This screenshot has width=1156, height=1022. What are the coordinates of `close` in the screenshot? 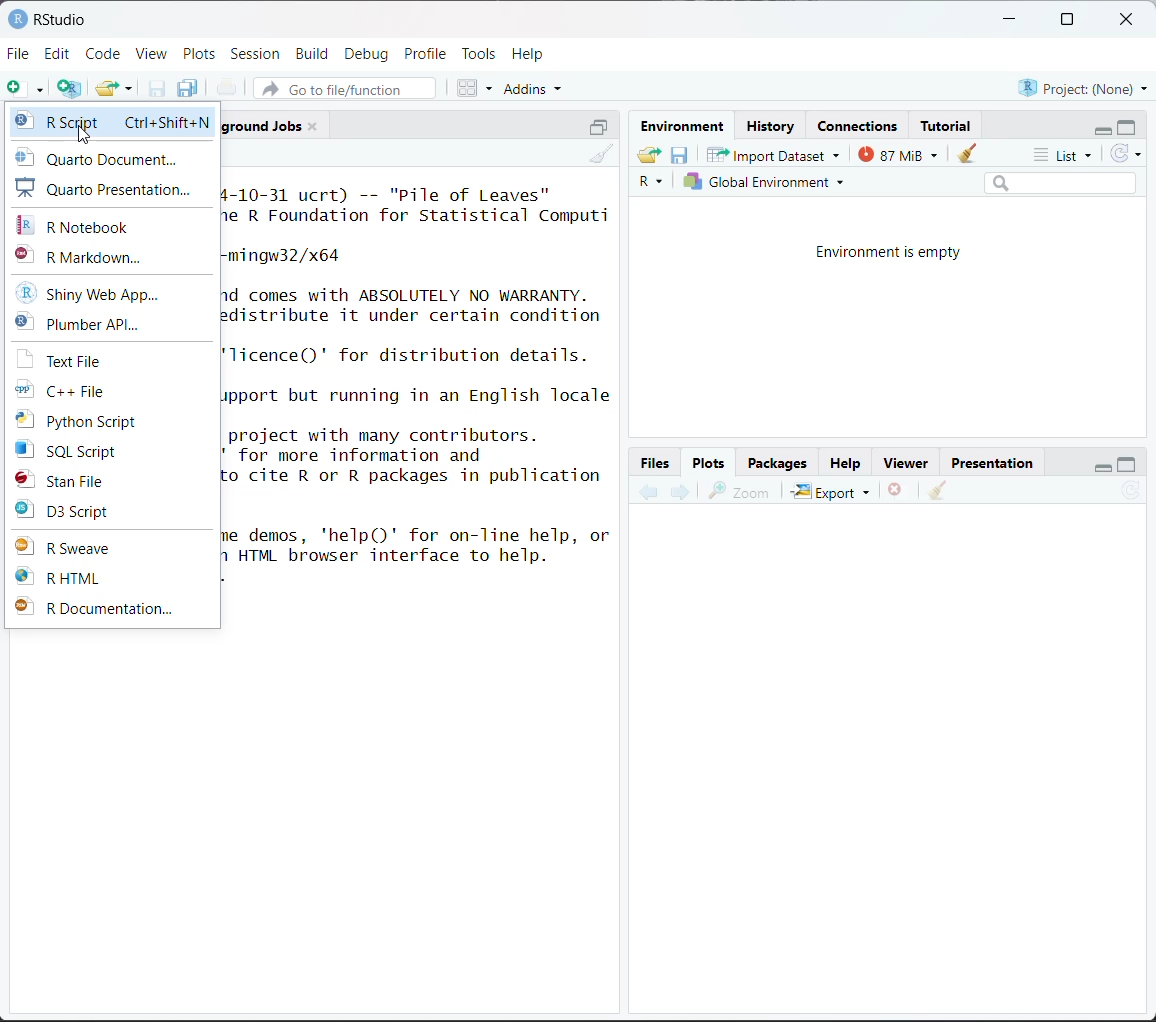 It's located at (1130, 20).